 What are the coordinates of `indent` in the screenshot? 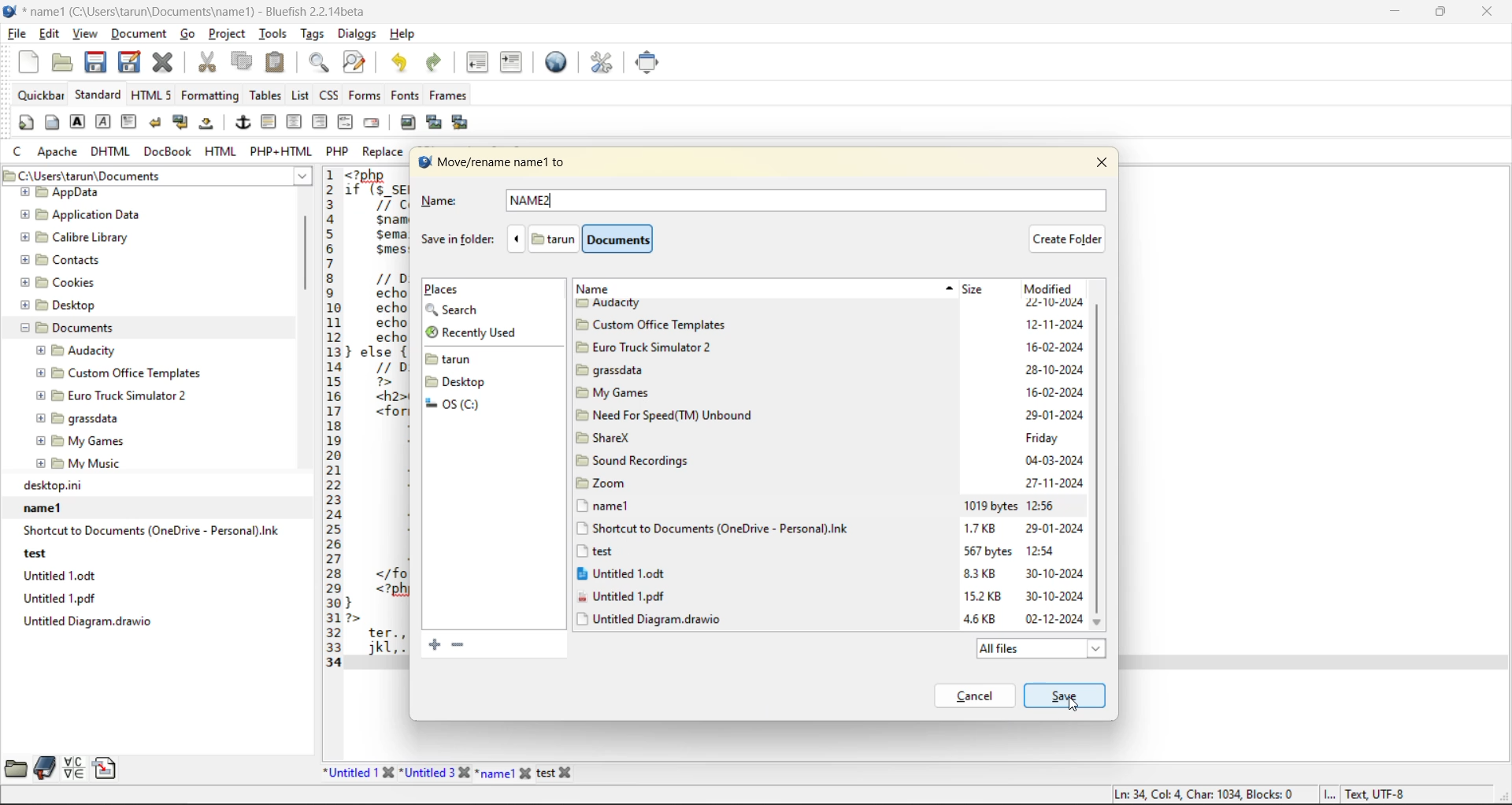 It's located at (513, 65).